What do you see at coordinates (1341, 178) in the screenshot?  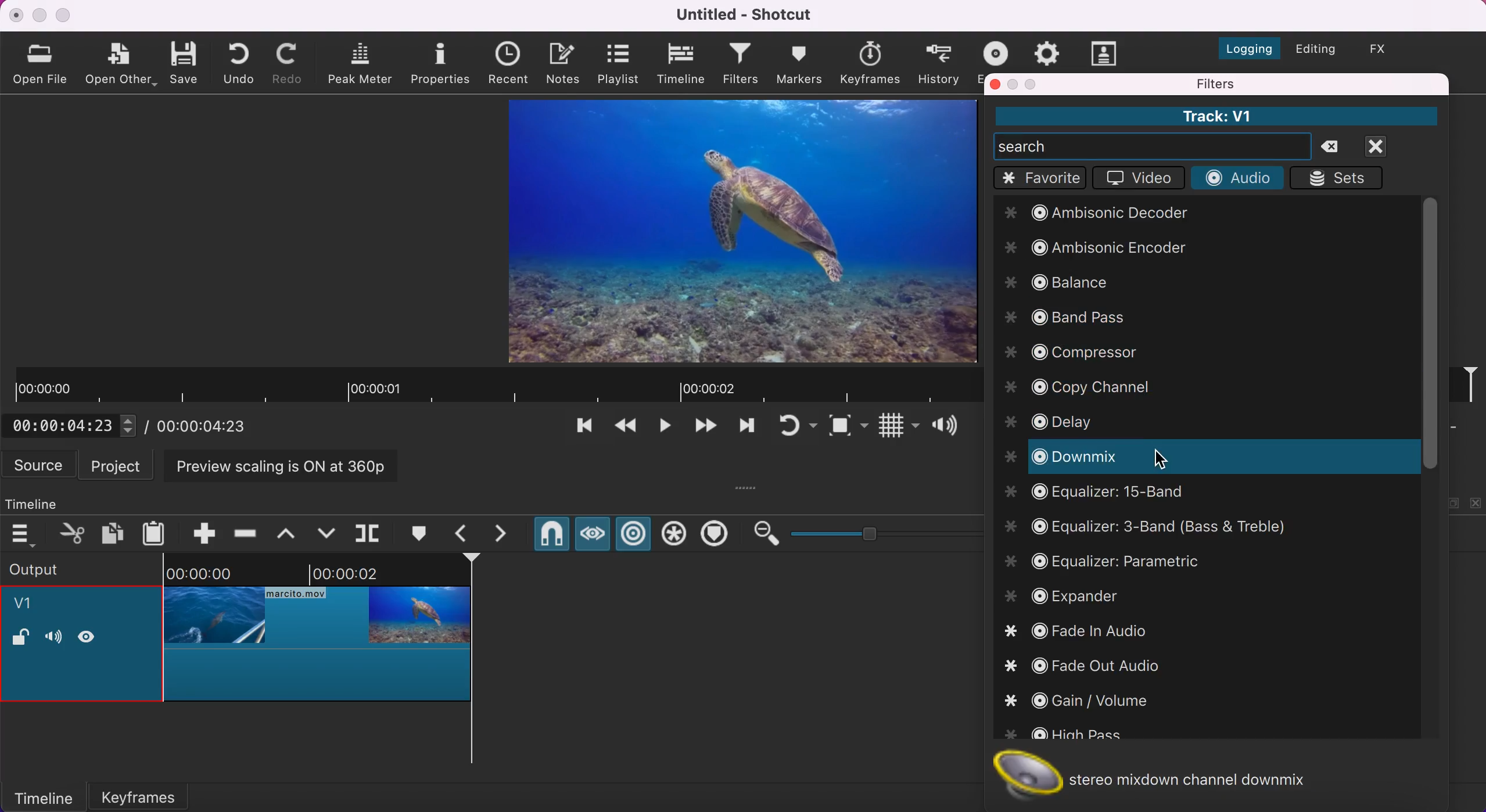 I see `sets` at bounding box center [1341, 178].